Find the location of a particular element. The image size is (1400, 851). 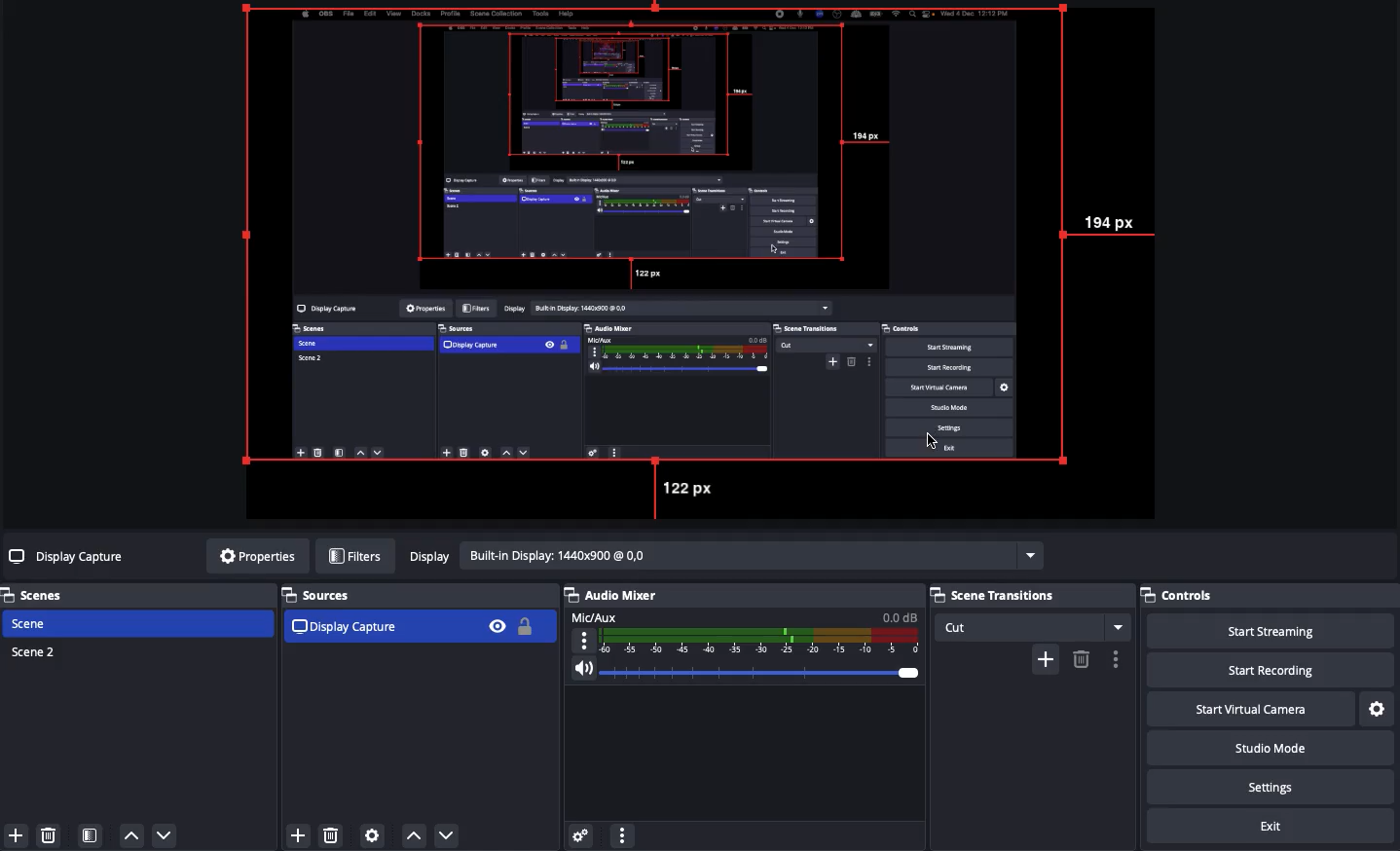

Fitters is located at coordinates (355, 556).